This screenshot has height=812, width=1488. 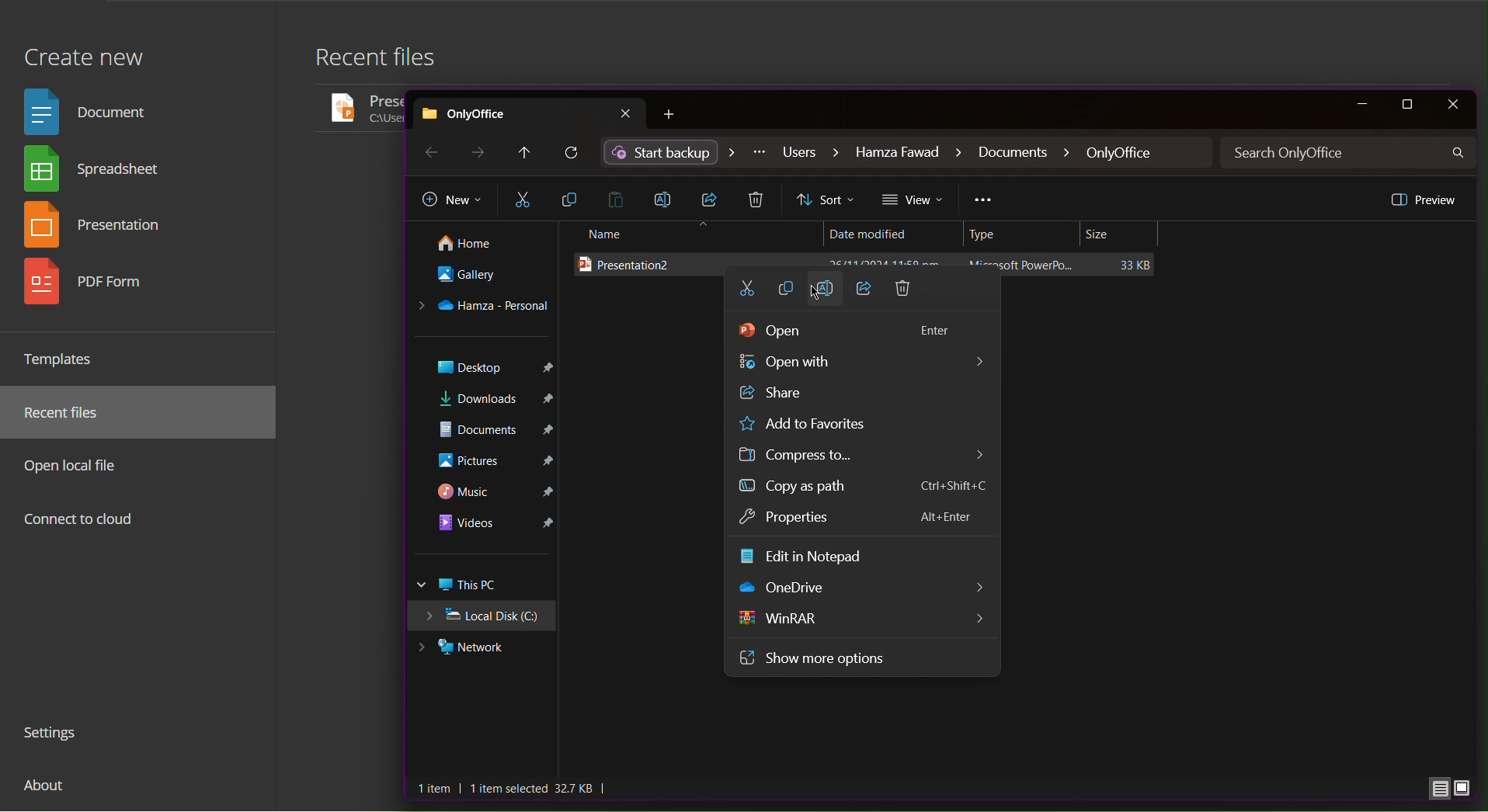 I want to click on Share, so click(x=713, y=200).